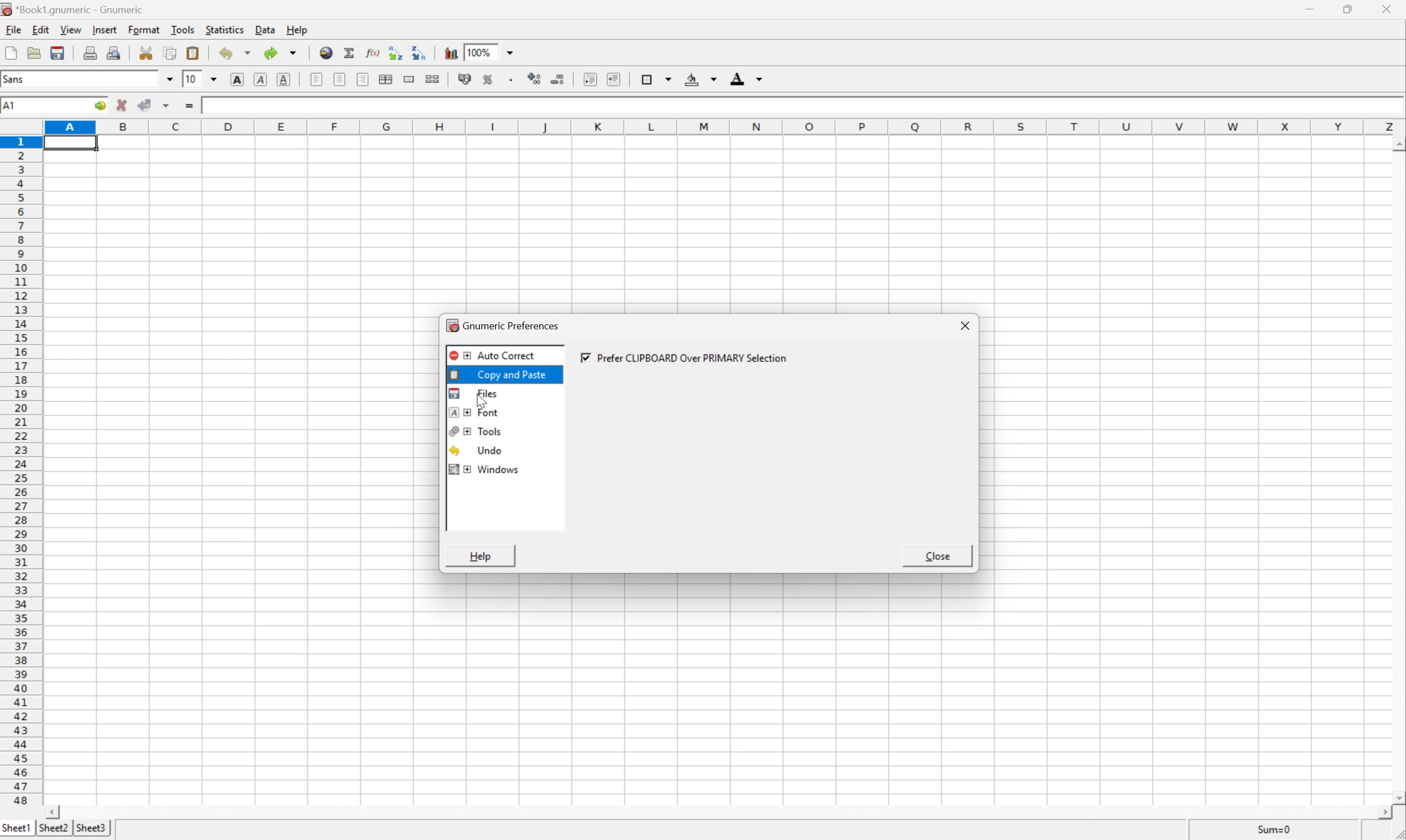  I want to click on center horizontally, so click(341, 79).